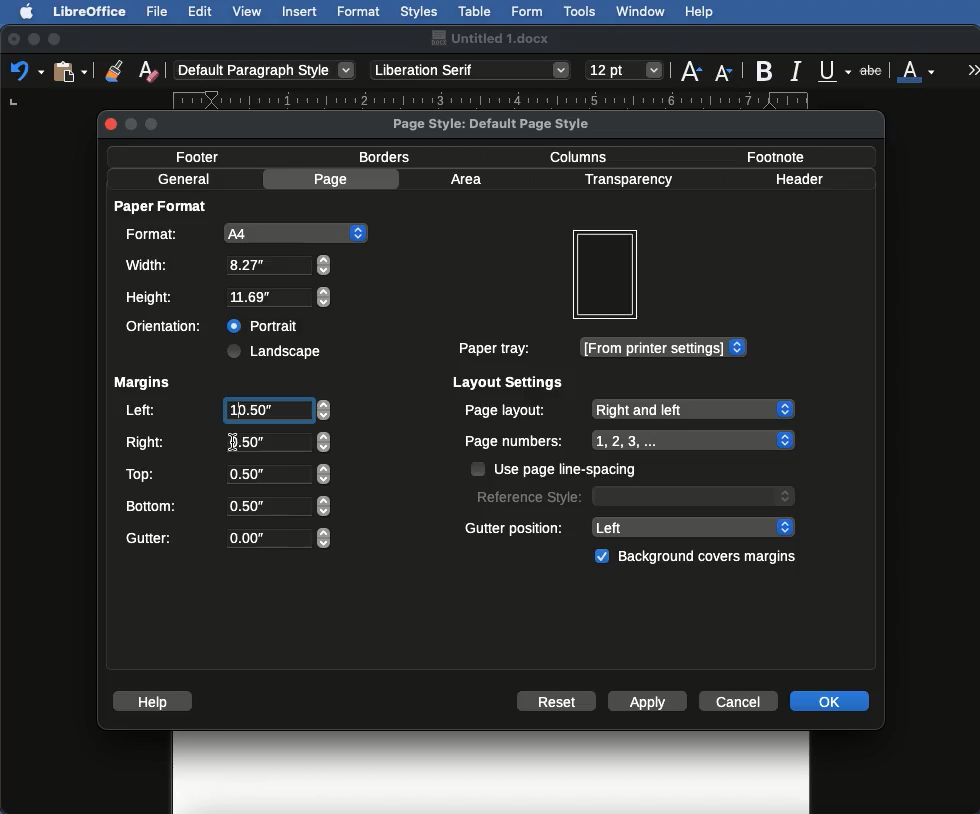 This screenshot has height=814, width=980. I want to click on left tab, so click(13, 104).